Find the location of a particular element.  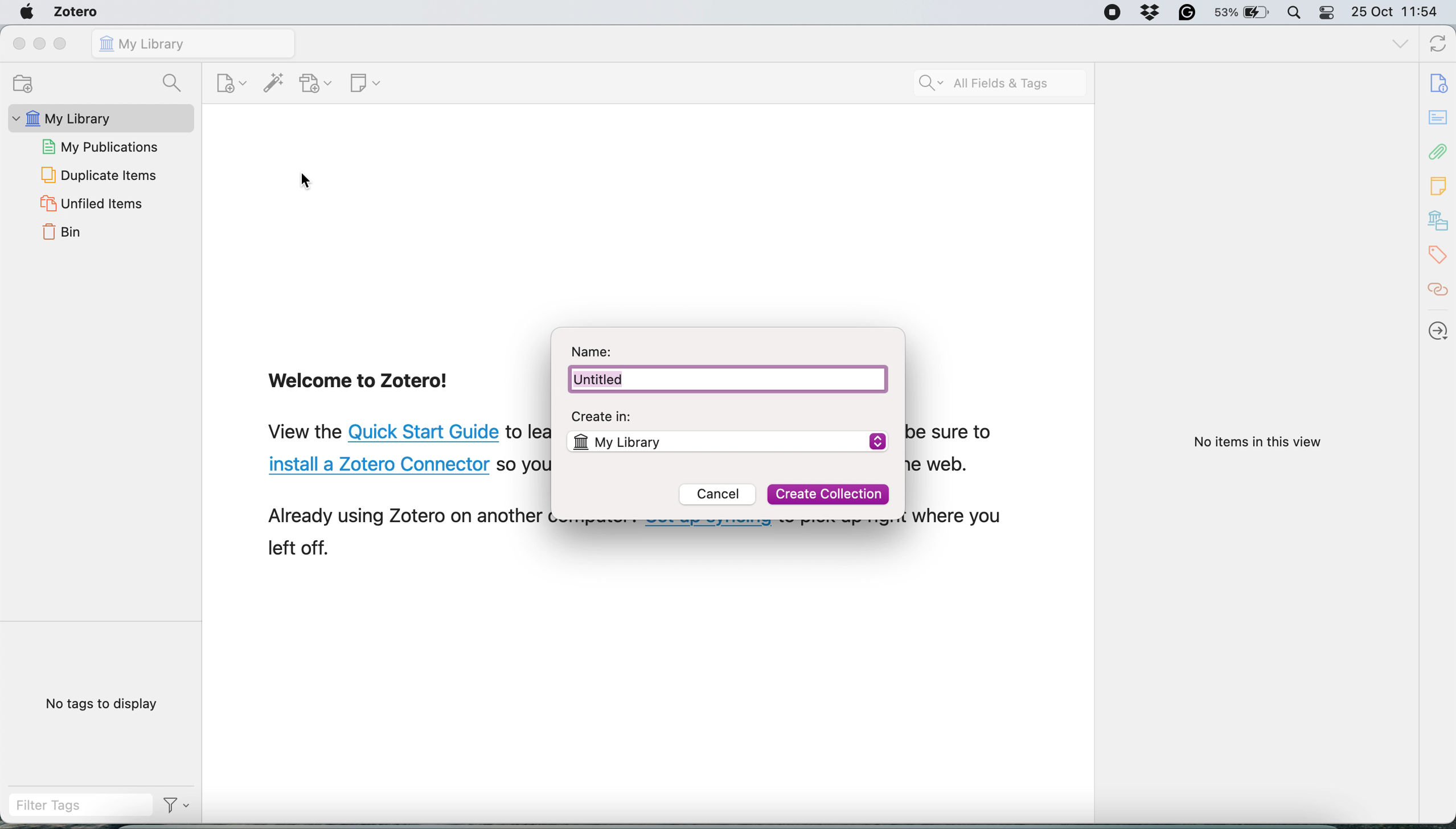

25 Oct 11:54 is located at coordinates (1401, 12).